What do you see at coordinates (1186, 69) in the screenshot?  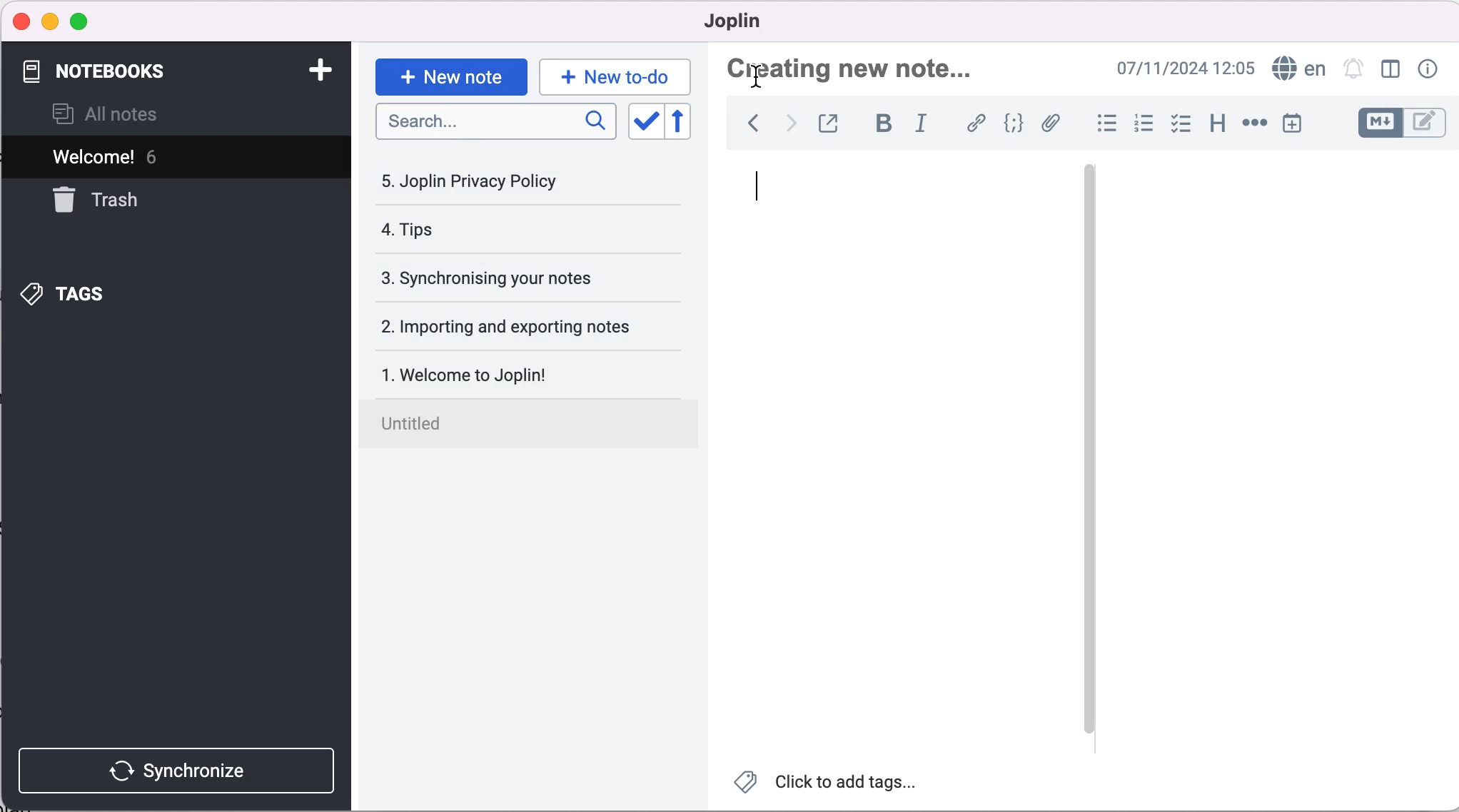 I see `time and date` at bounding box center [1186, 69].